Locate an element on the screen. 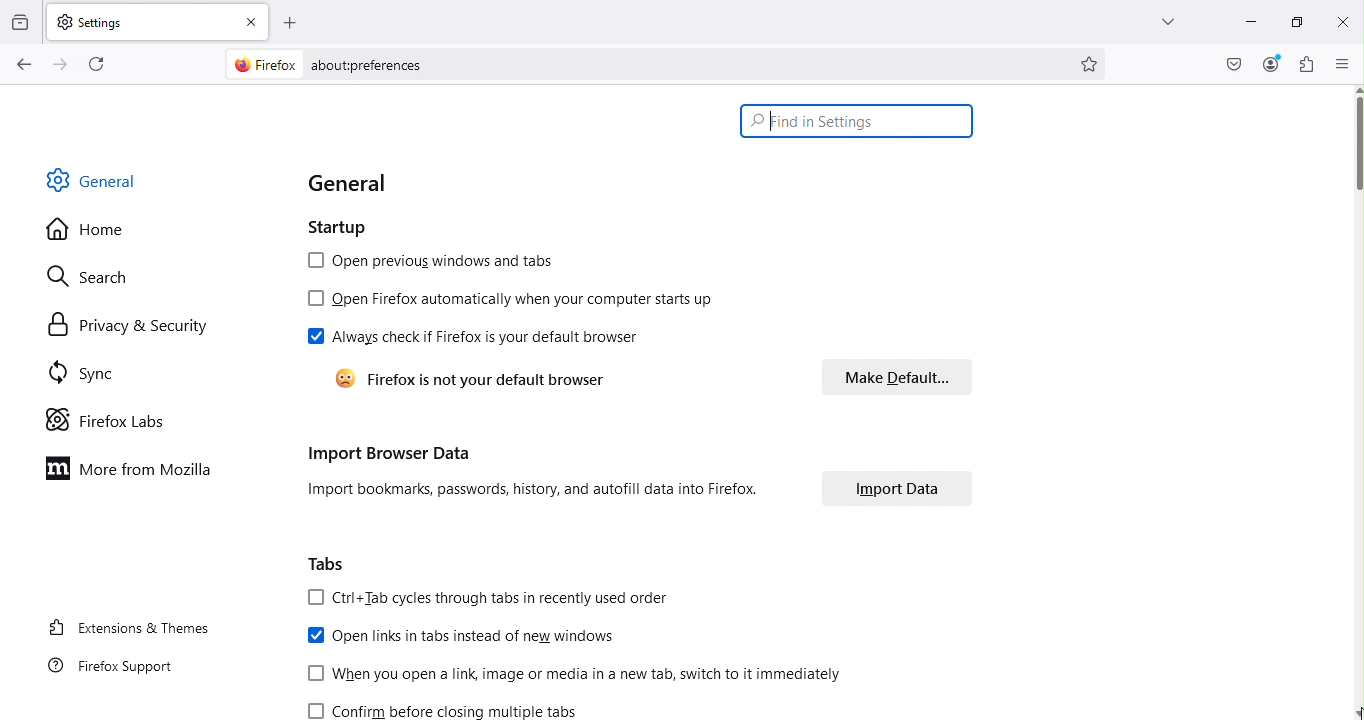  Search bar is located at coordinates (856, 121).